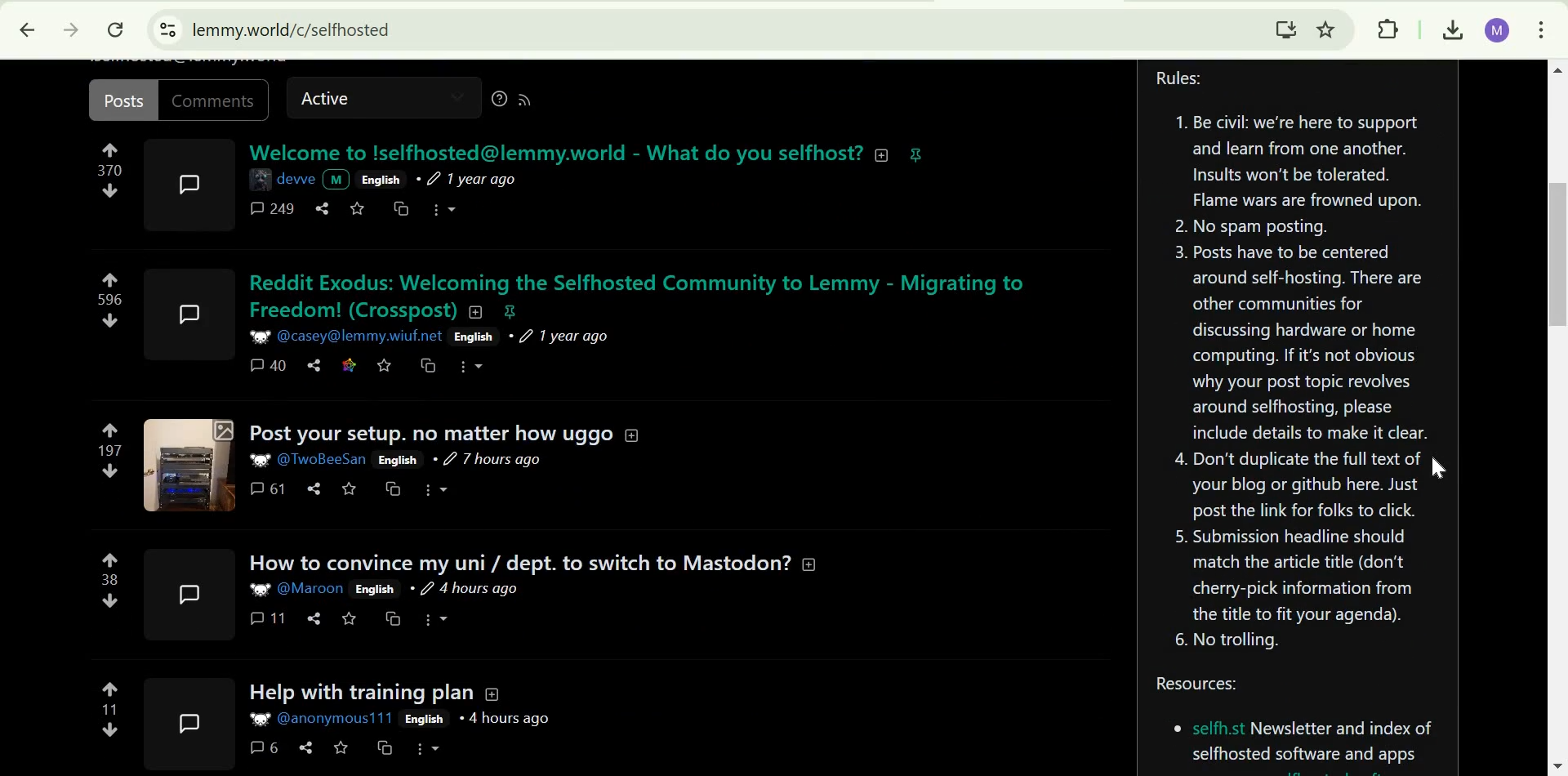 The image size is (1568, 776). What do you see at coordinates (122, 100) in the screenshot?
I see `posts` at bounding box center [122, 100].